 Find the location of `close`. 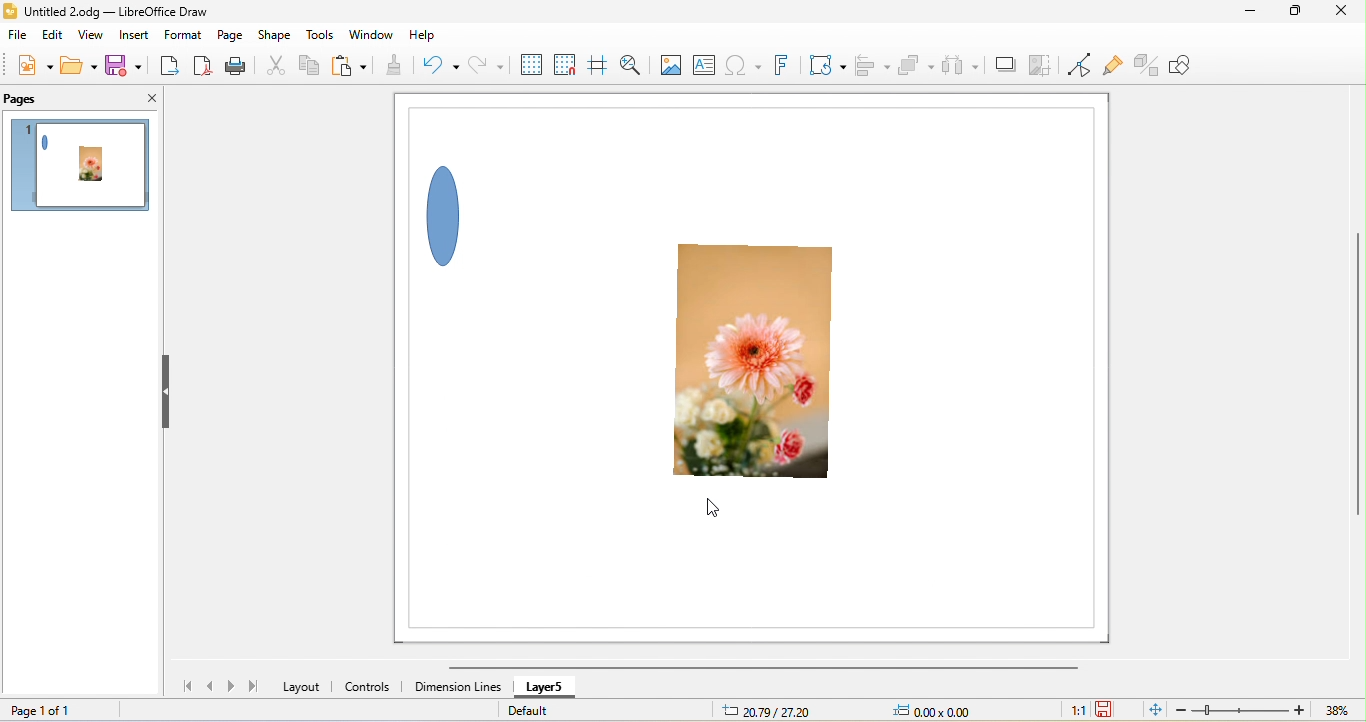

close is located at coordinates (149, 99).